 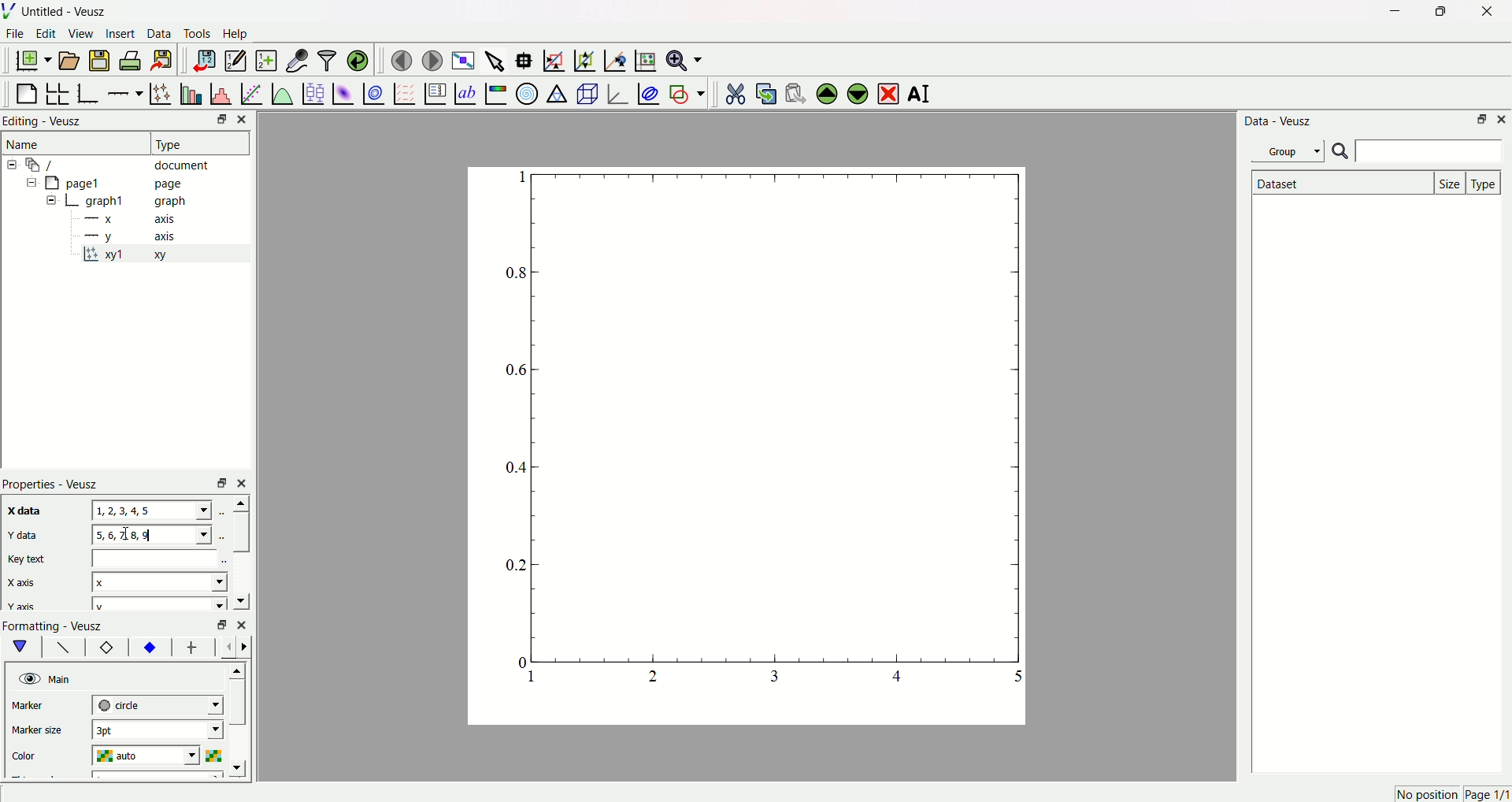 I want to click on scroll bar, so click(x=240, y=532).